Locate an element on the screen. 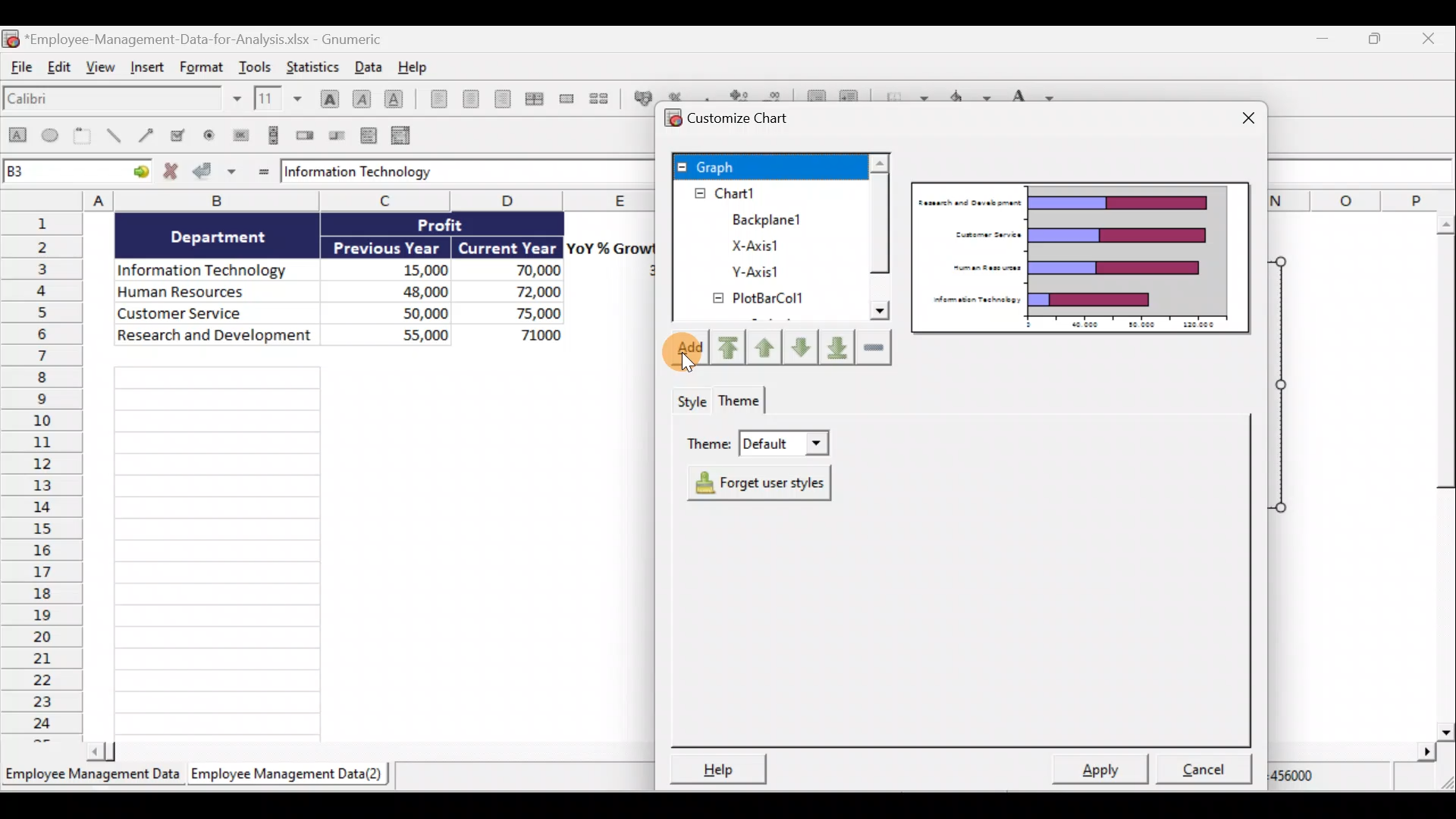 This screenshot has height=819, width=1456. Format the selection as accounting is located at coordinates (639, 96).